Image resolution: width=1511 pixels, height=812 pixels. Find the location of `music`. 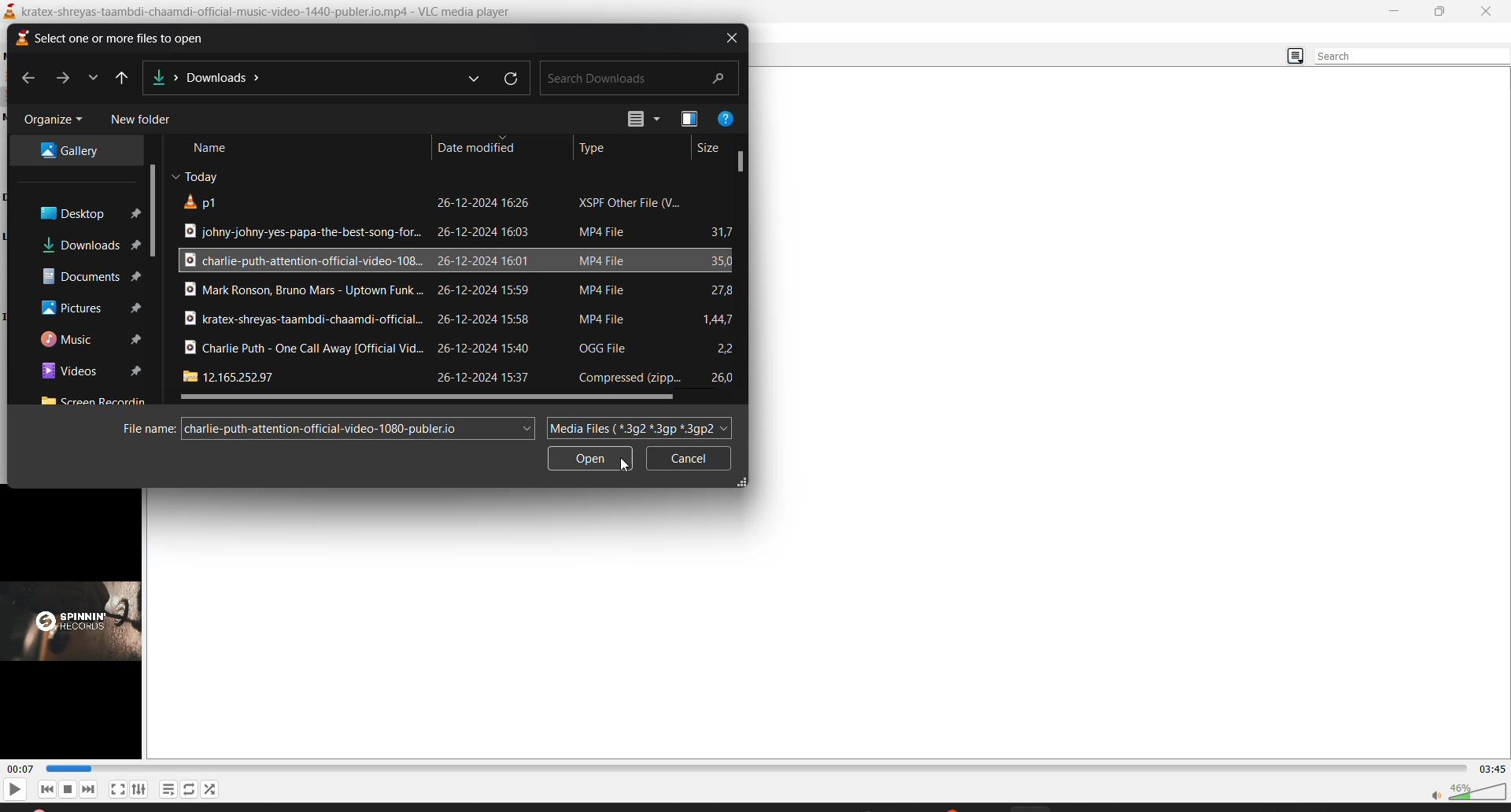

music is located at coordinates (91, 339).